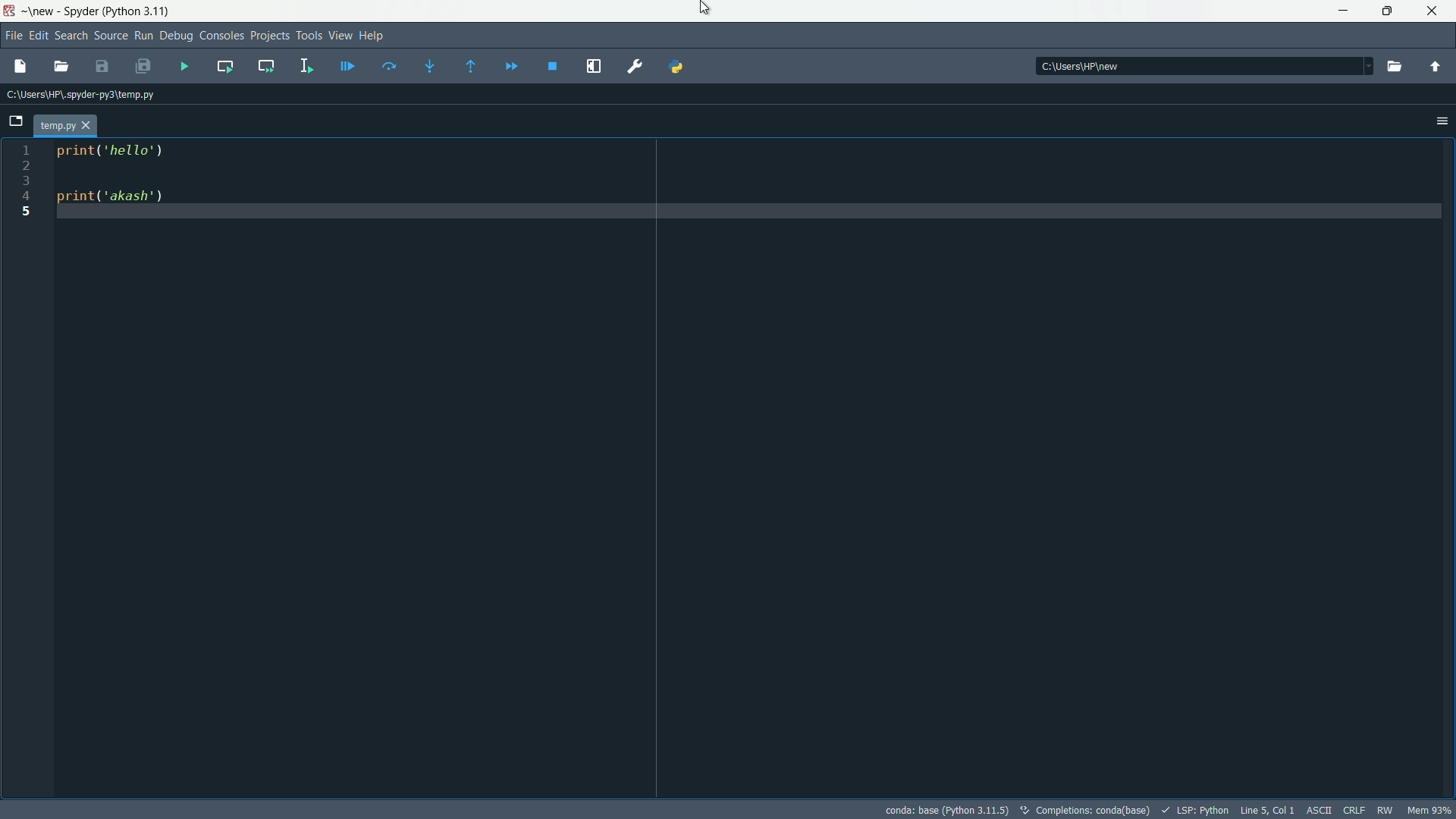 The height and width of the screenshot is (819, 1456). What do you see at coordinates (390, 66) in the screenshot?
I see `run current line` at bounding box center [390, 66].